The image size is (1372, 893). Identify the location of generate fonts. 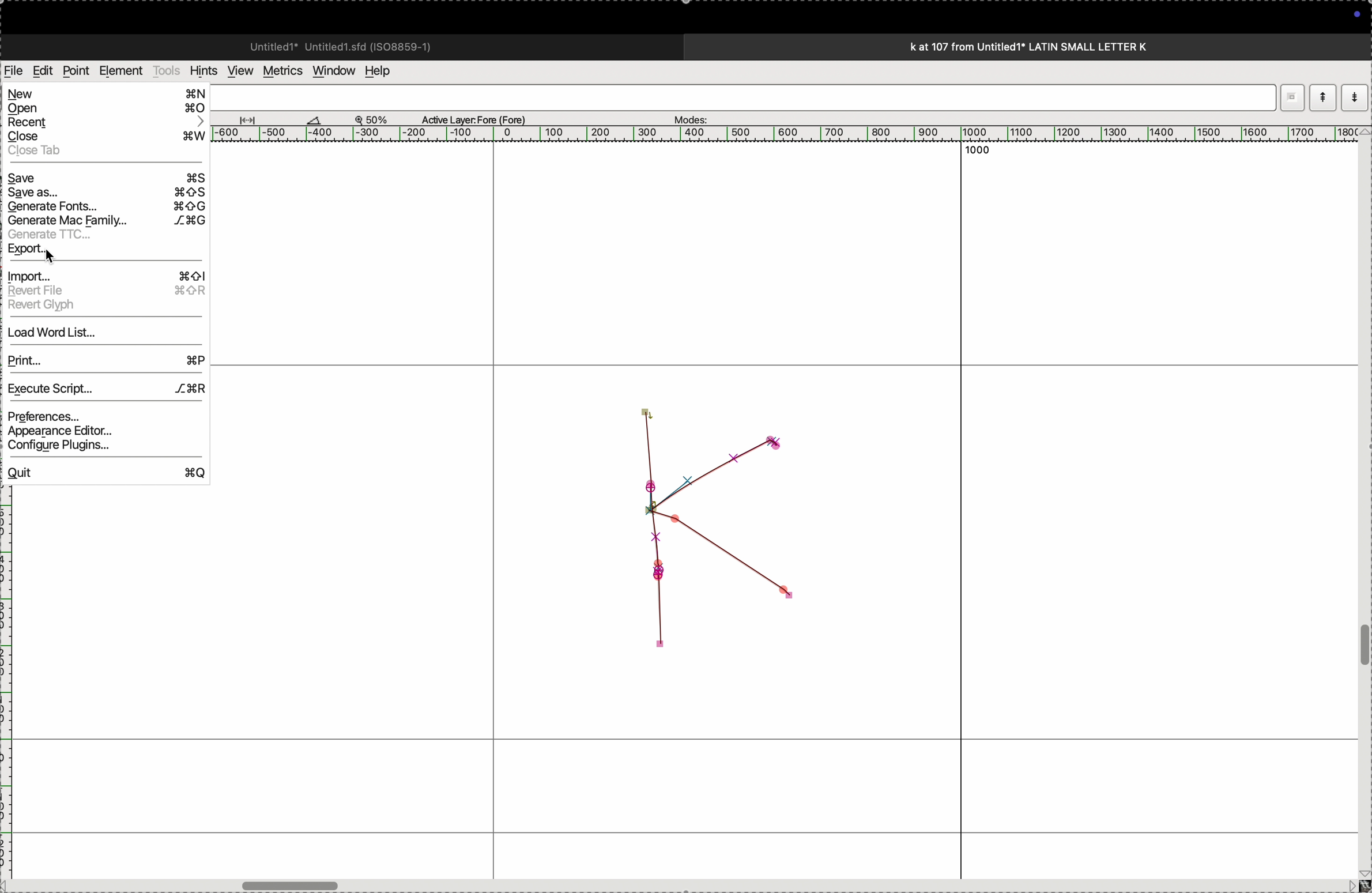
(105, 208).